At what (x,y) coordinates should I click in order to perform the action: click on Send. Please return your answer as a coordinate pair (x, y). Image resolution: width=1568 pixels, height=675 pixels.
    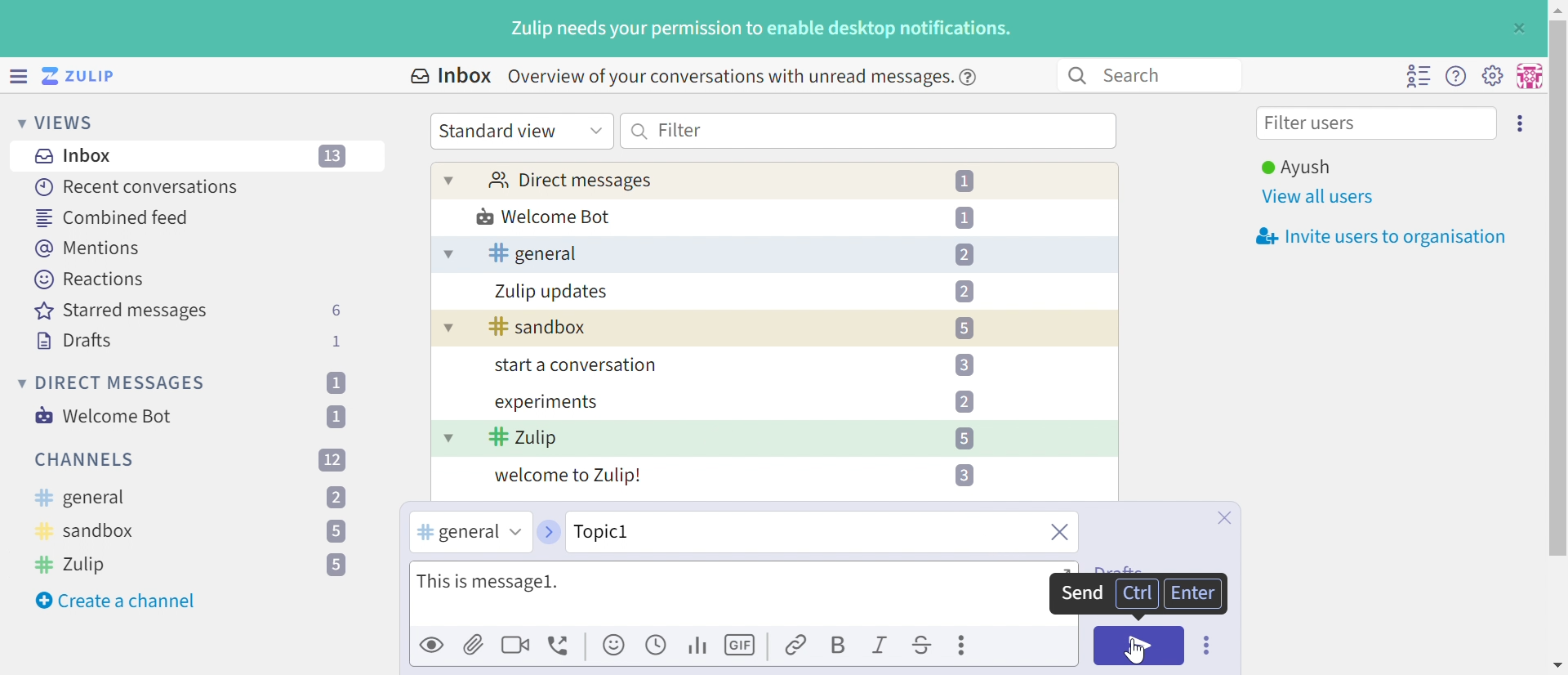
    Looking at the image, I should click on (1139, 645).